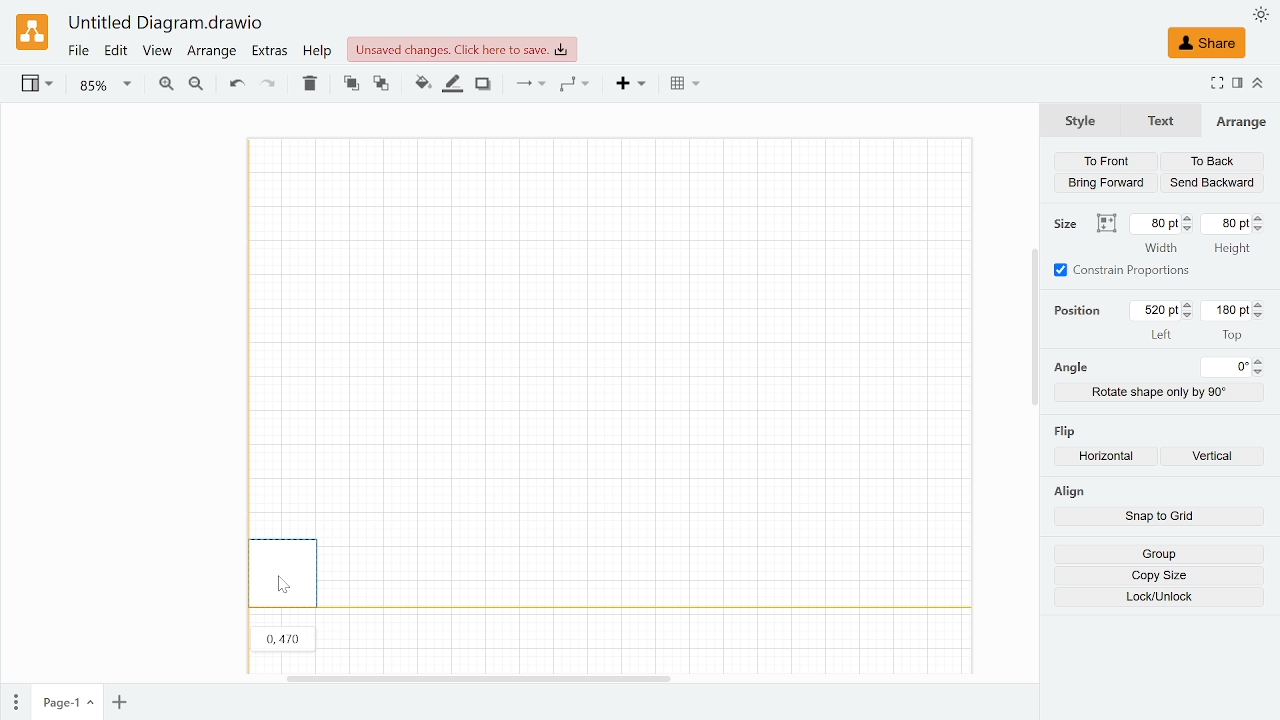 The height and width of the screenshot is (720, 1280). Describe the element at coordinates (1260, 304) in the screenshot. I see `Increase top` at that location.